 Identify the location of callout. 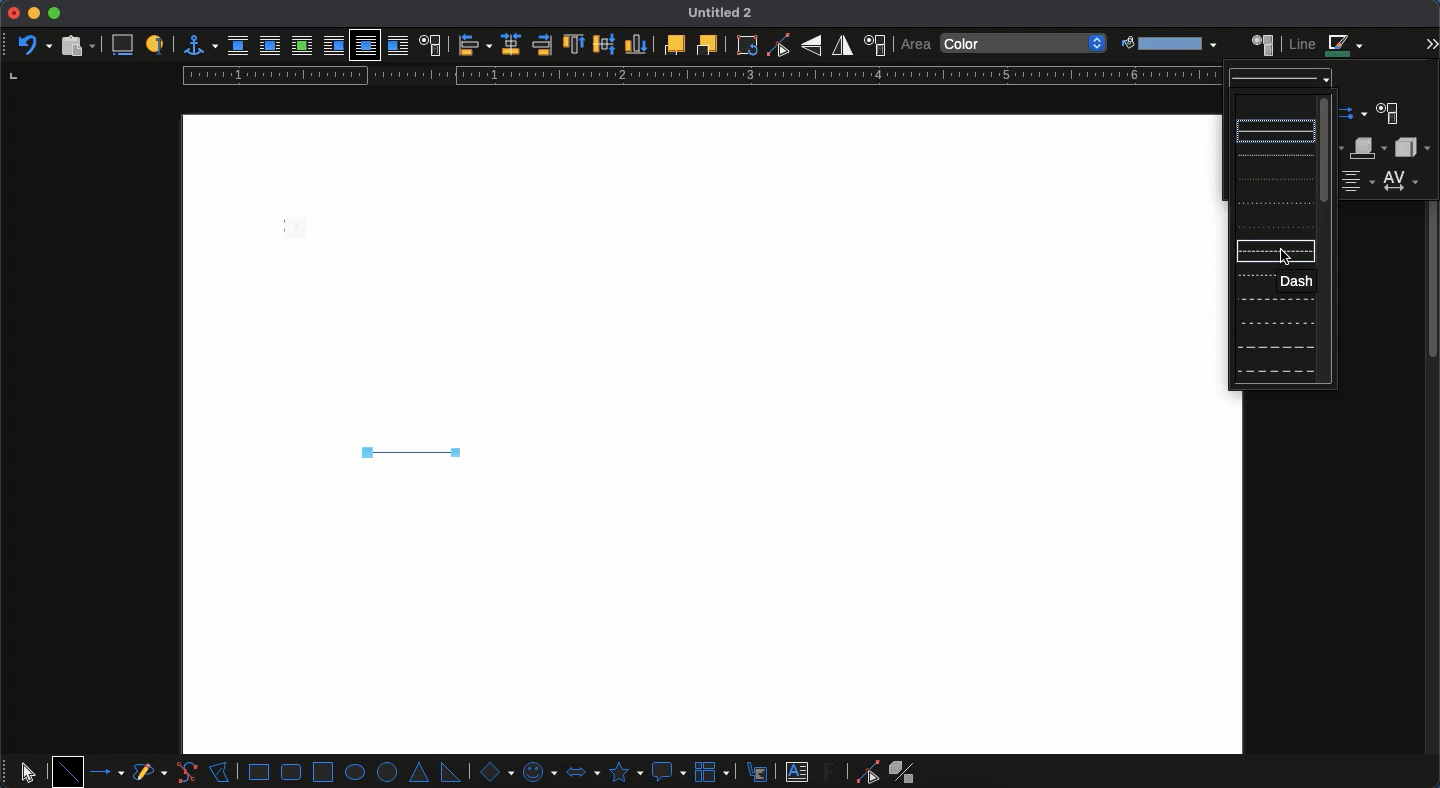
(668, 772).